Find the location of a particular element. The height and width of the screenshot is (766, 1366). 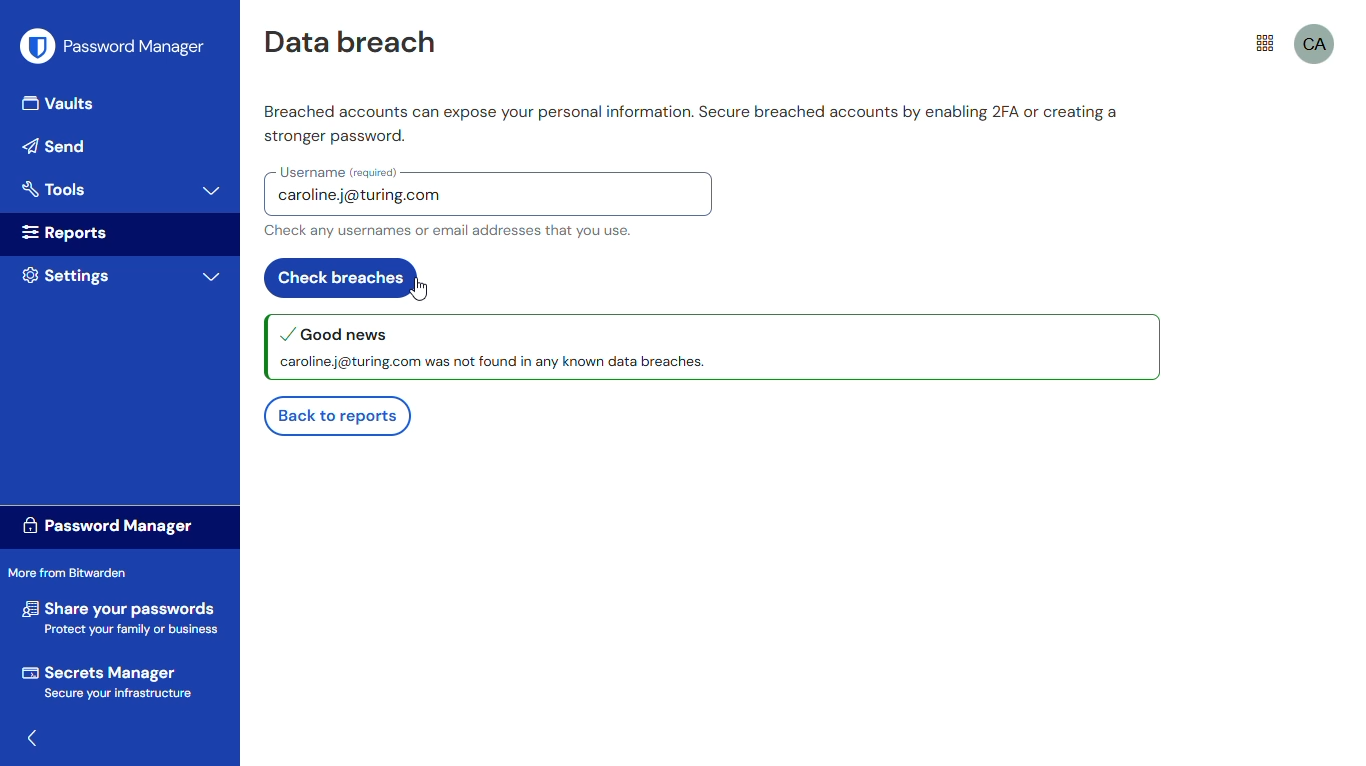

logo is located at coordinates (38, 46).